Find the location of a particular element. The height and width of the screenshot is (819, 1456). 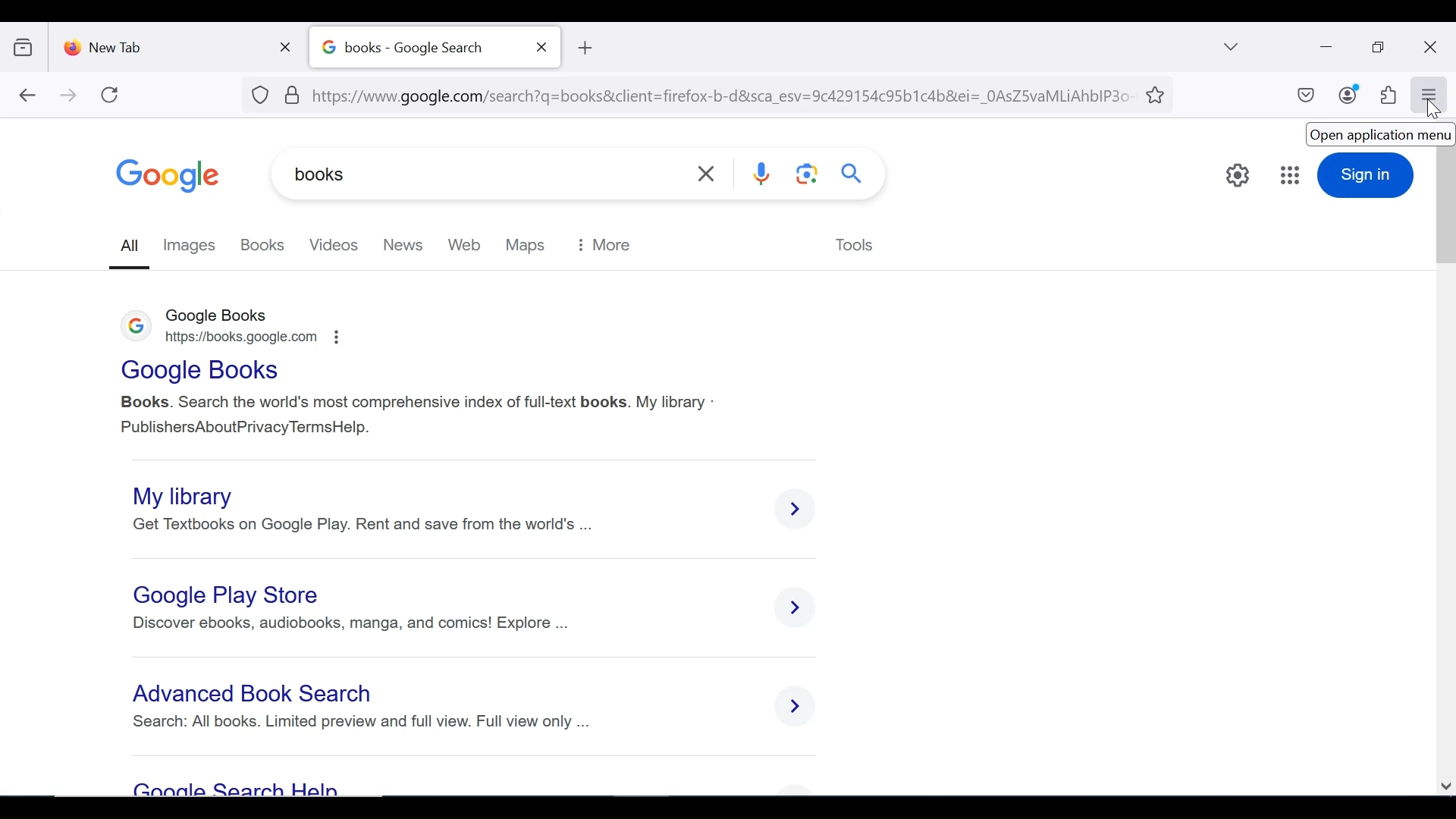

clear search is located at coordinates (708, 174).